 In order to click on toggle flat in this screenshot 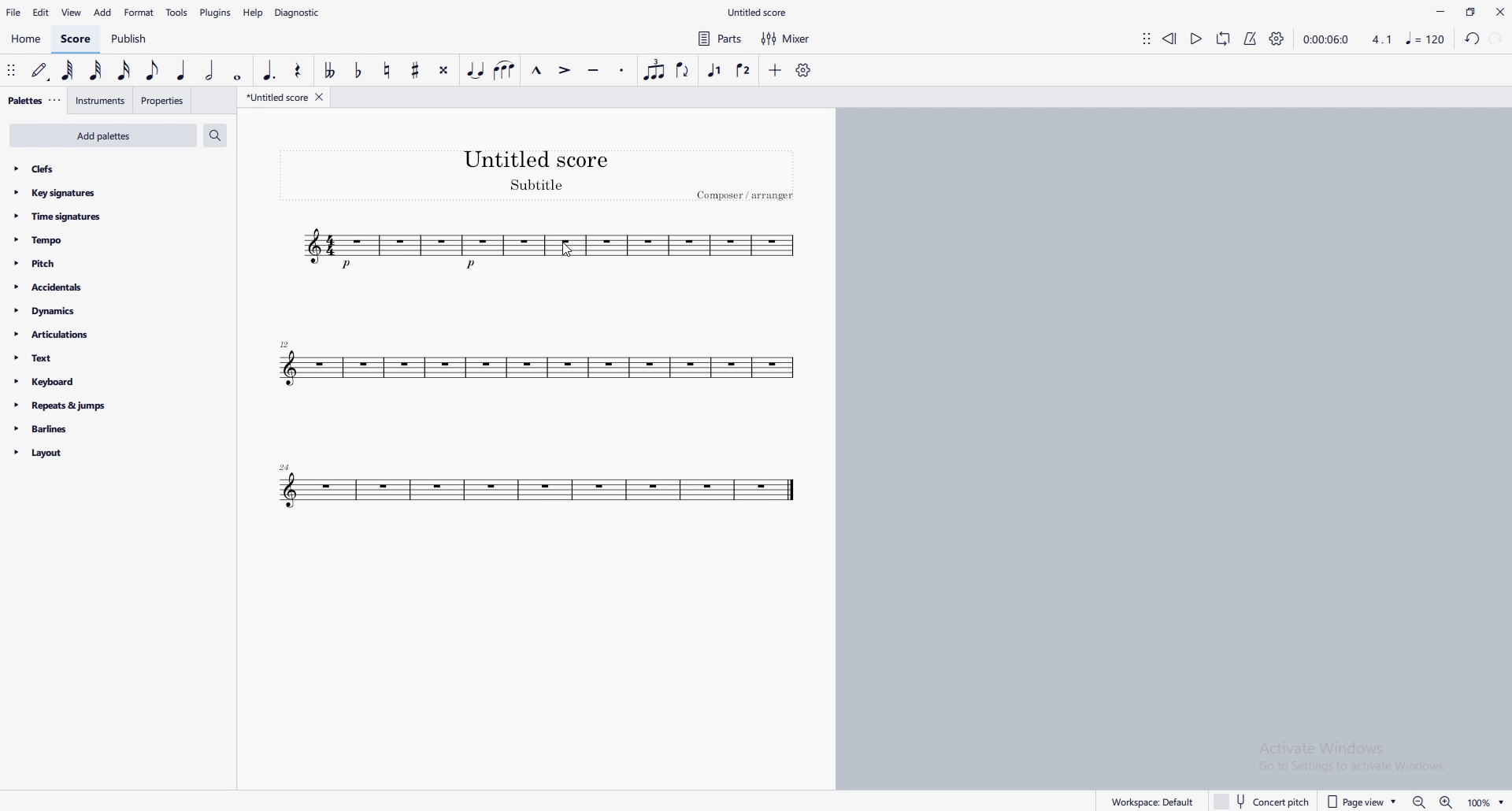, I will do `click(361, 70)`.